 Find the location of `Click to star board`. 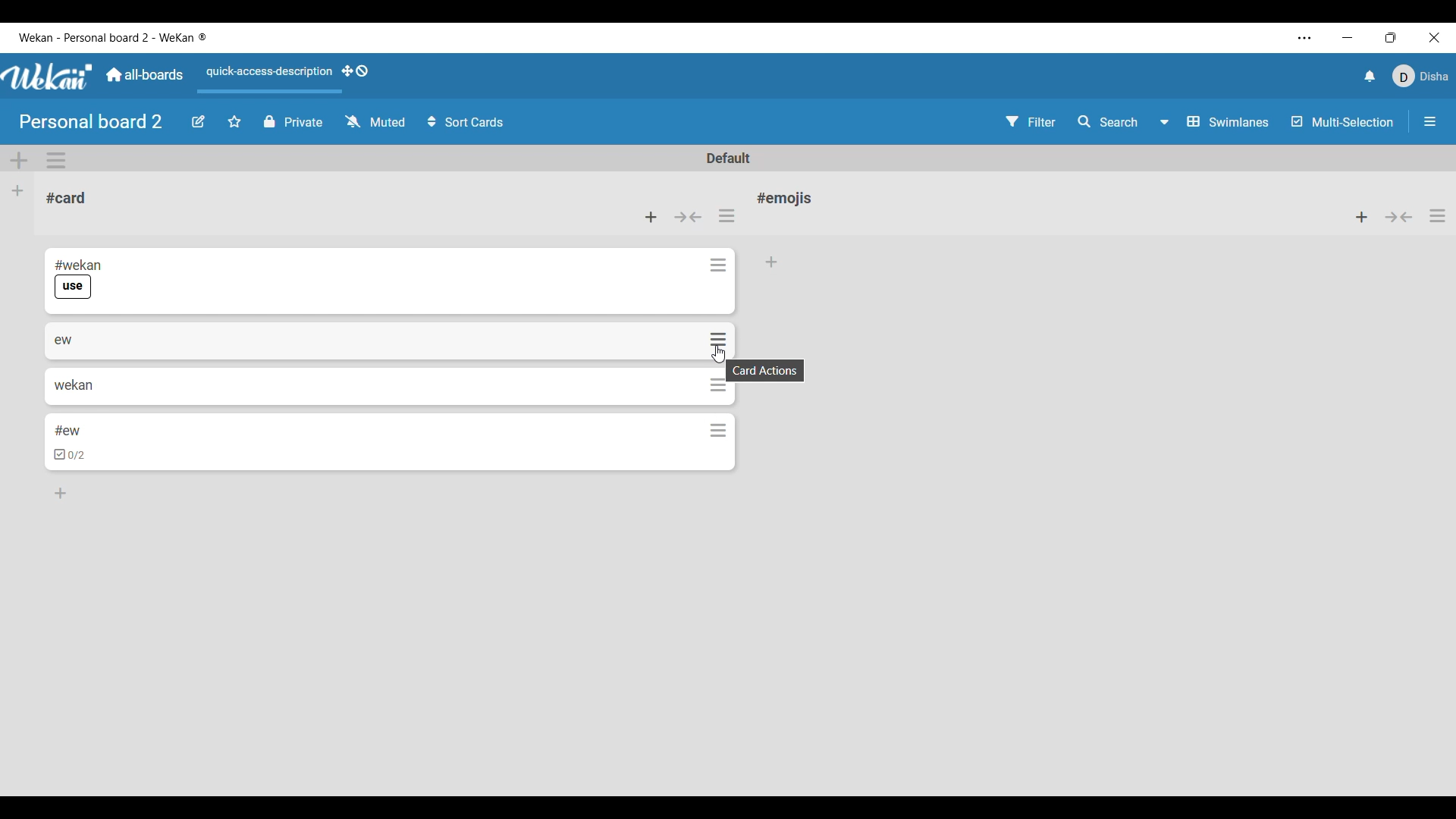

Click to star board is located at coordinates (234, 122).